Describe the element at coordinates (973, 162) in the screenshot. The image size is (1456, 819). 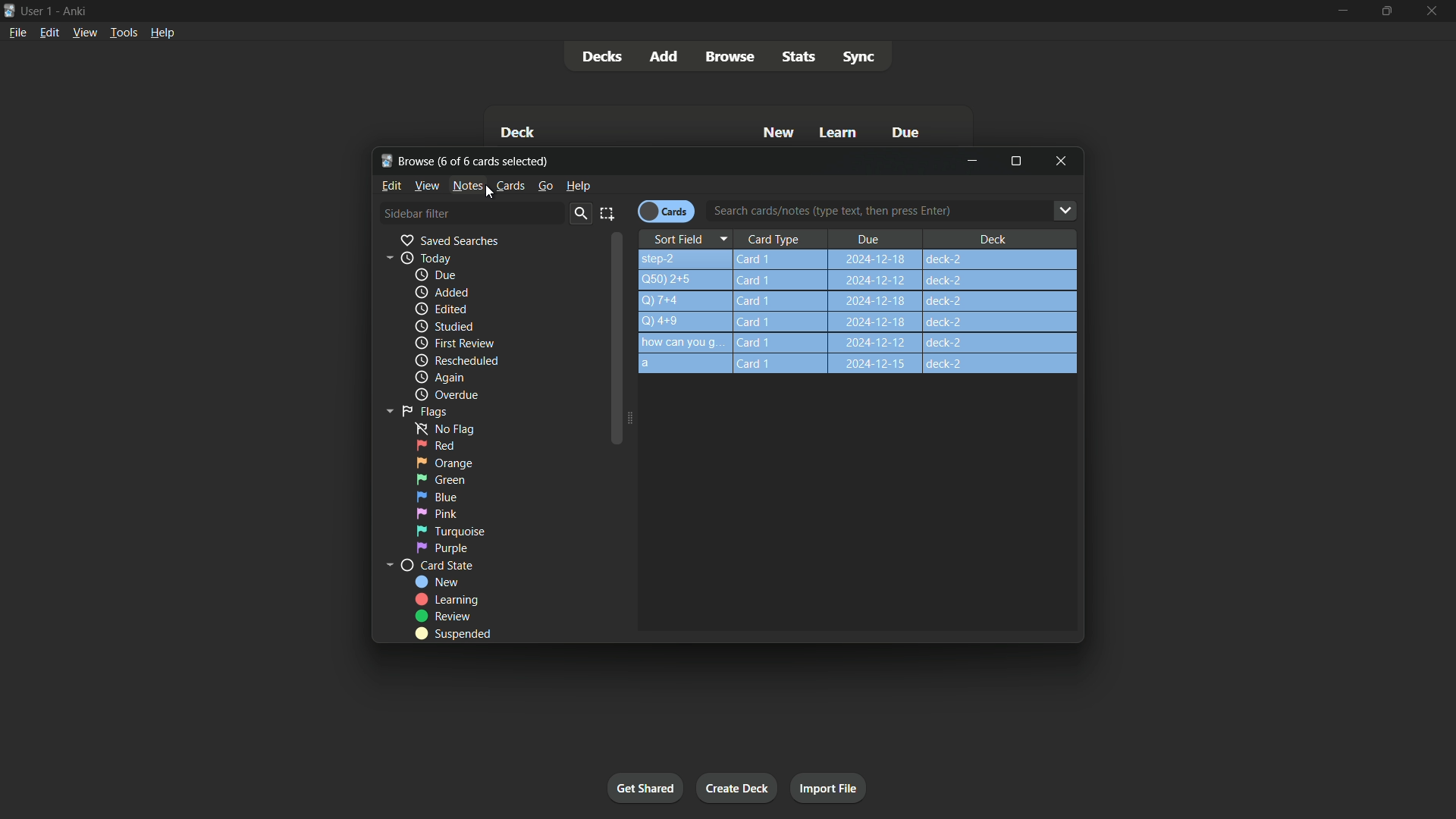
I see `minimize` at that location.